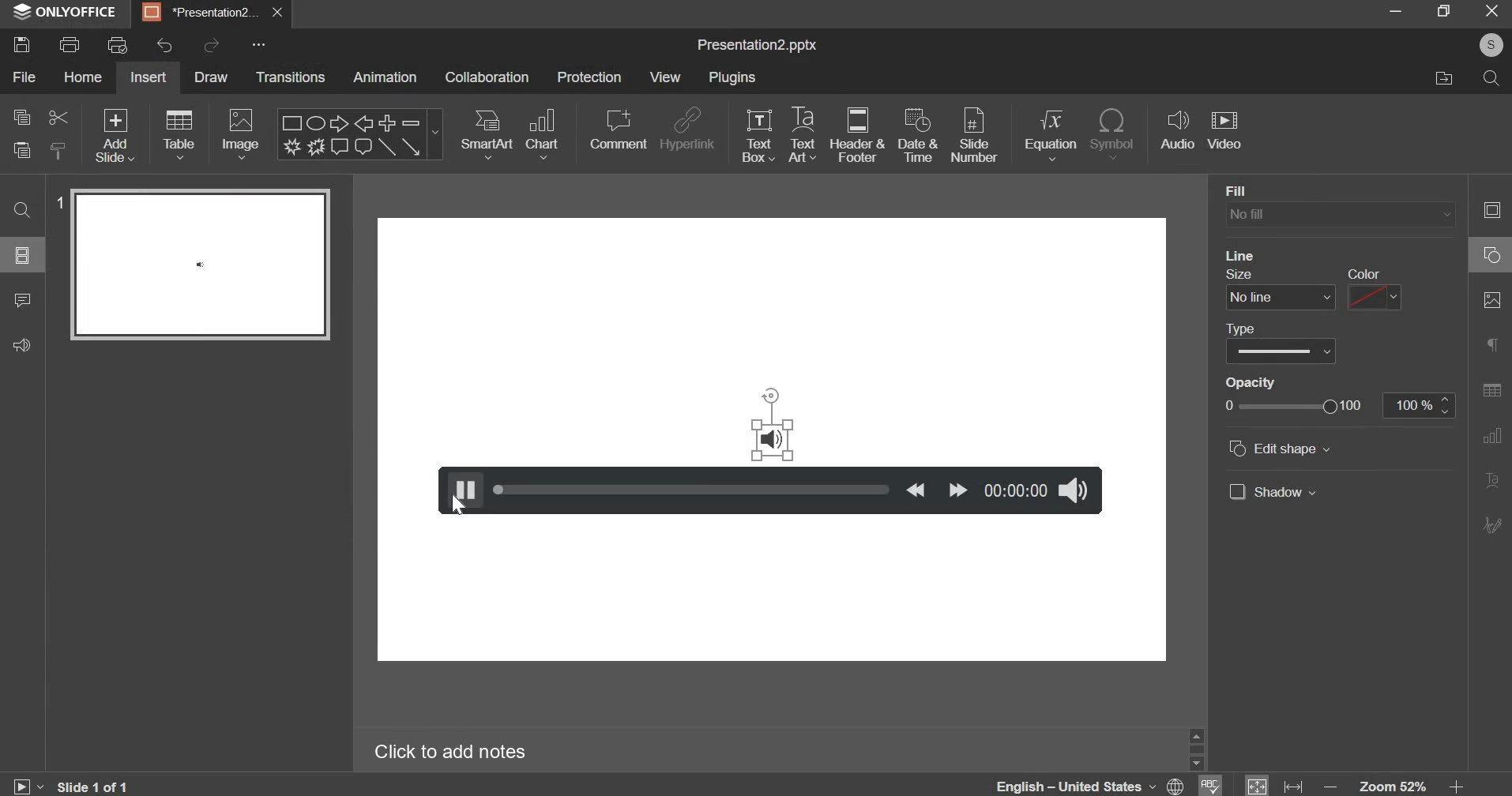 Image resolution: width=1512 pixels, height=796 pixels. What do you see at coordinates (1491, 209) in the screenshot?
I see `slide settings` at bounding box center [1491, 209].